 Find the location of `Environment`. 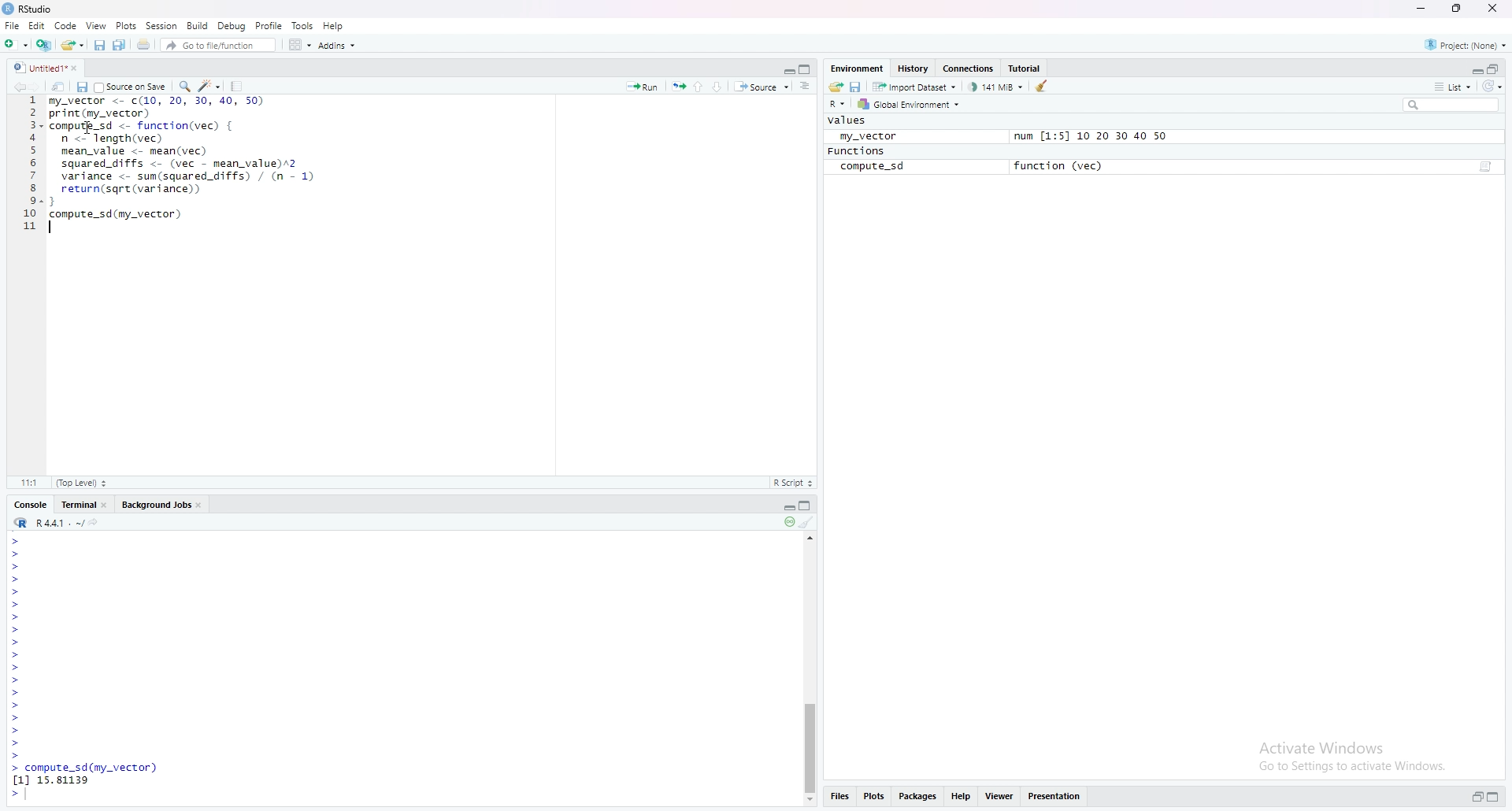

Environment is located at coordinates (857, 67).